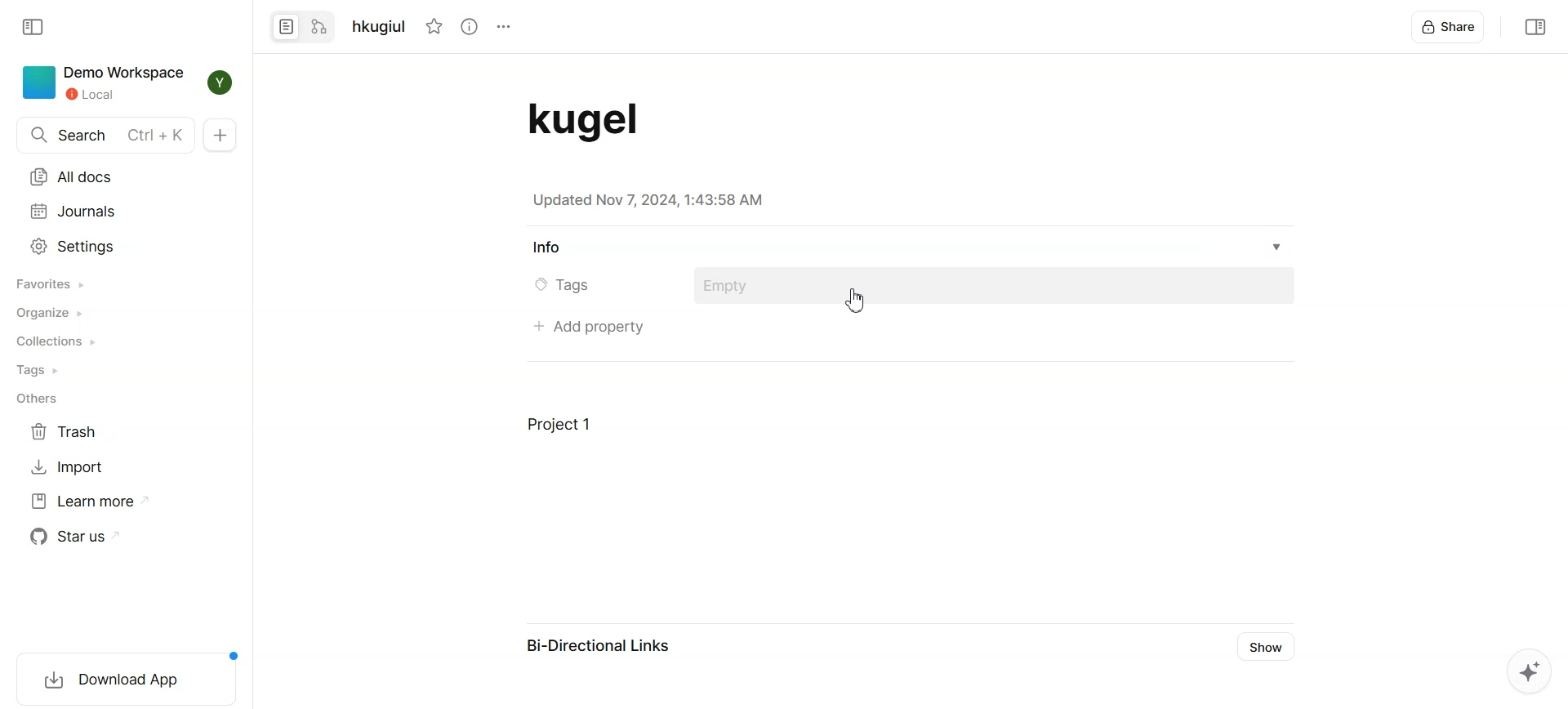  I want to click on Settings, so click(74, 246).